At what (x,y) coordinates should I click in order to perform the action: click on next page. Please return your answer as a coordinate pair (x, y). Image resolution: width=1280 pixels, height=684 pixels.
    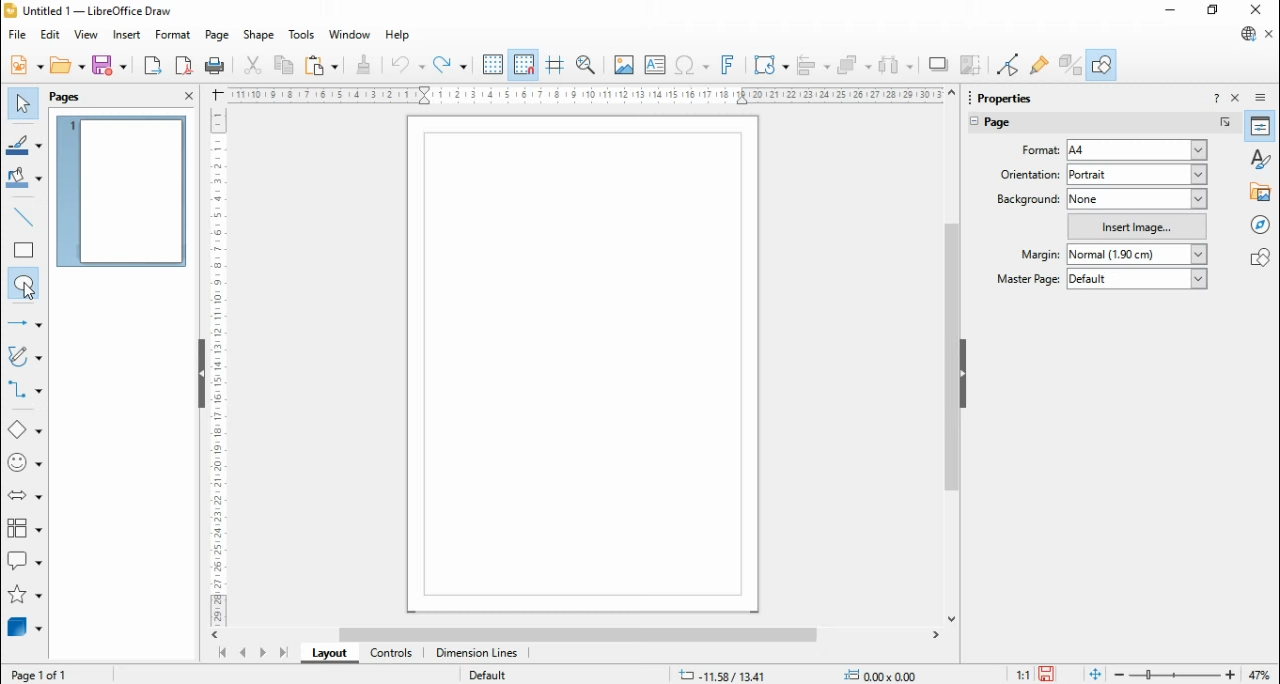
    Looking at the image, I should click on (263, 654).